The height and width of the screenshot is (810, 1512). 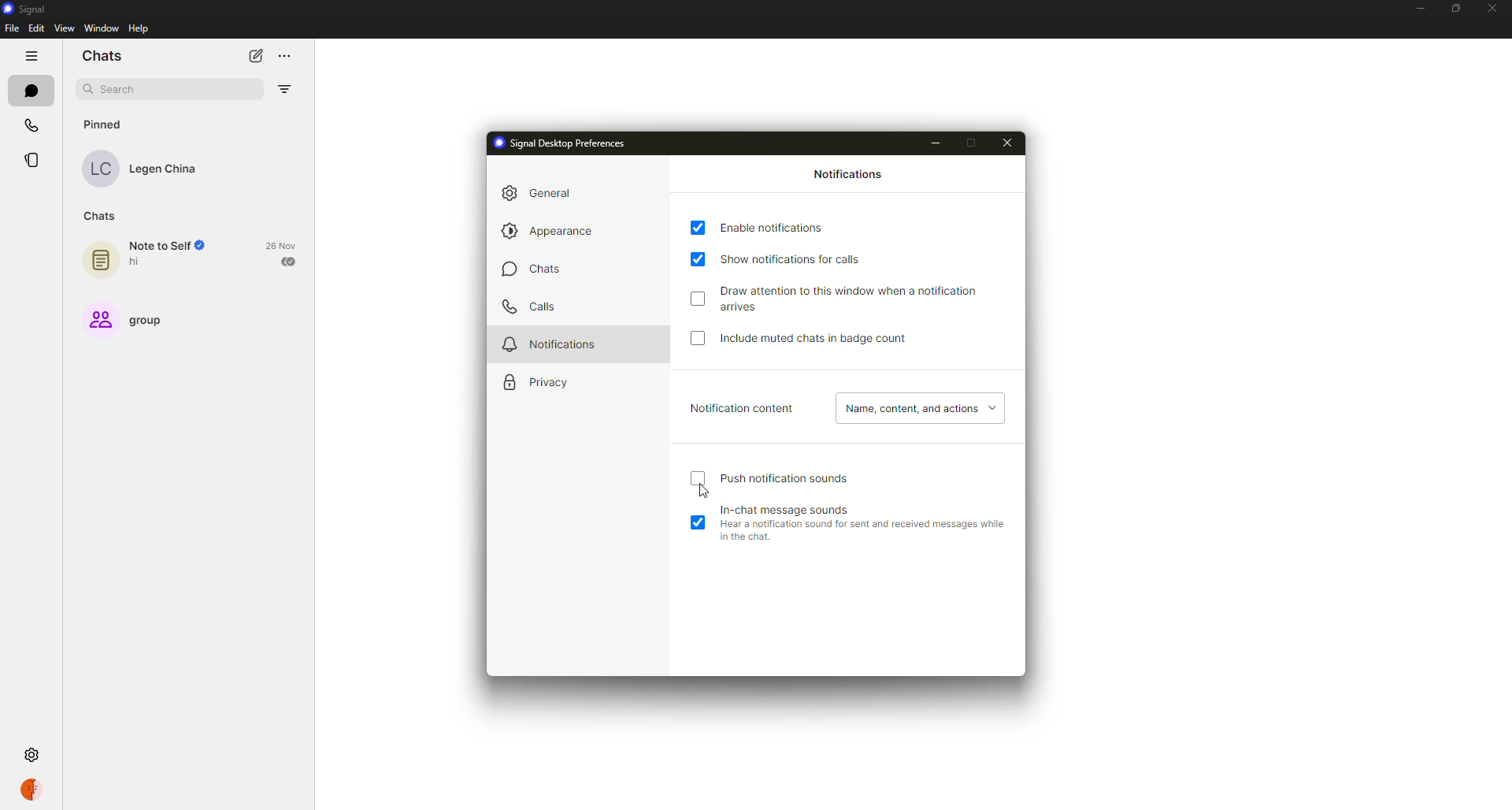 I want to click on new chat, so click(x=252, y=55).